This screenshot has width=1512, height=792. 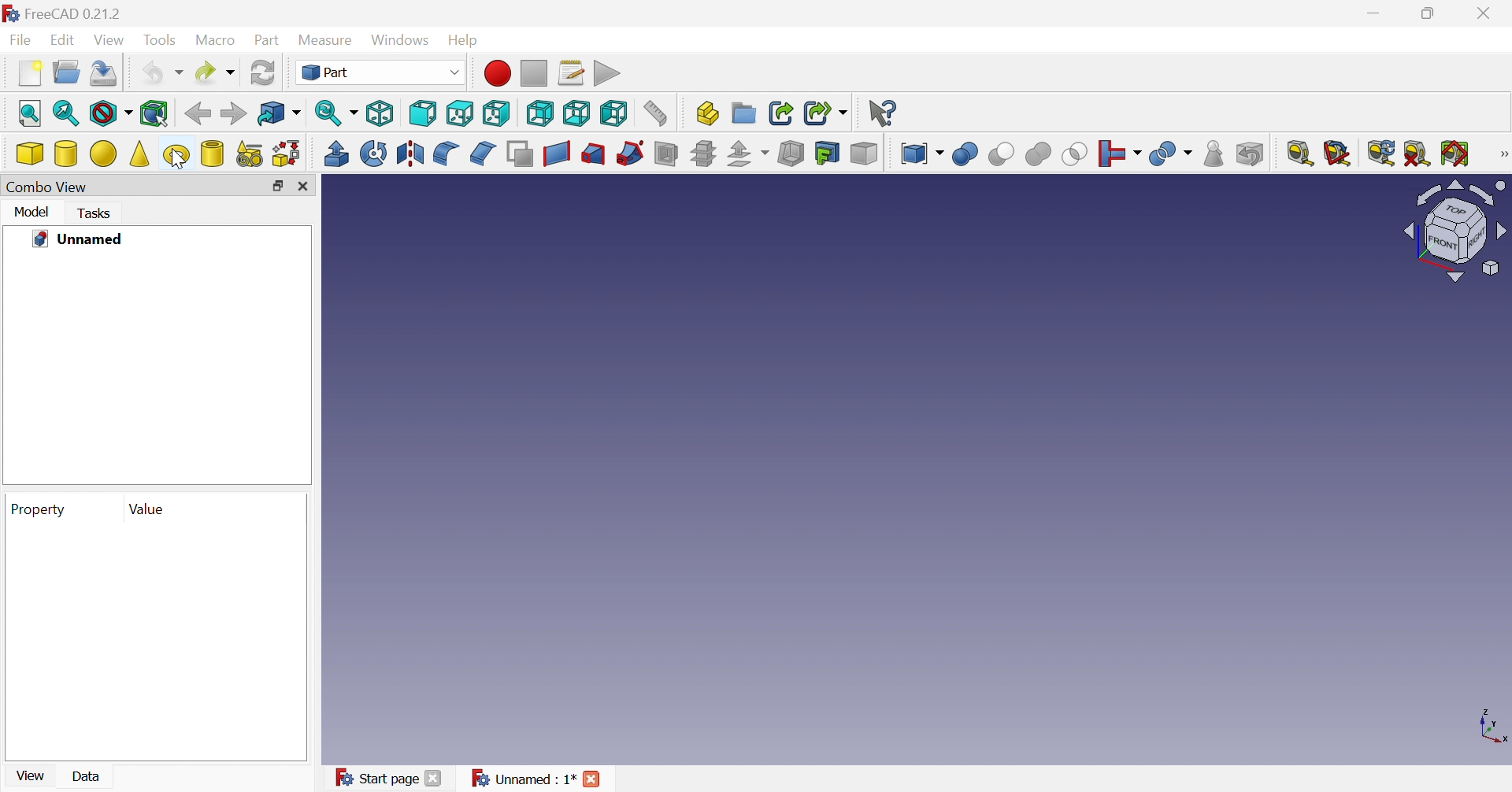 I want to click on Boundary box, so click(x=158, y=113).